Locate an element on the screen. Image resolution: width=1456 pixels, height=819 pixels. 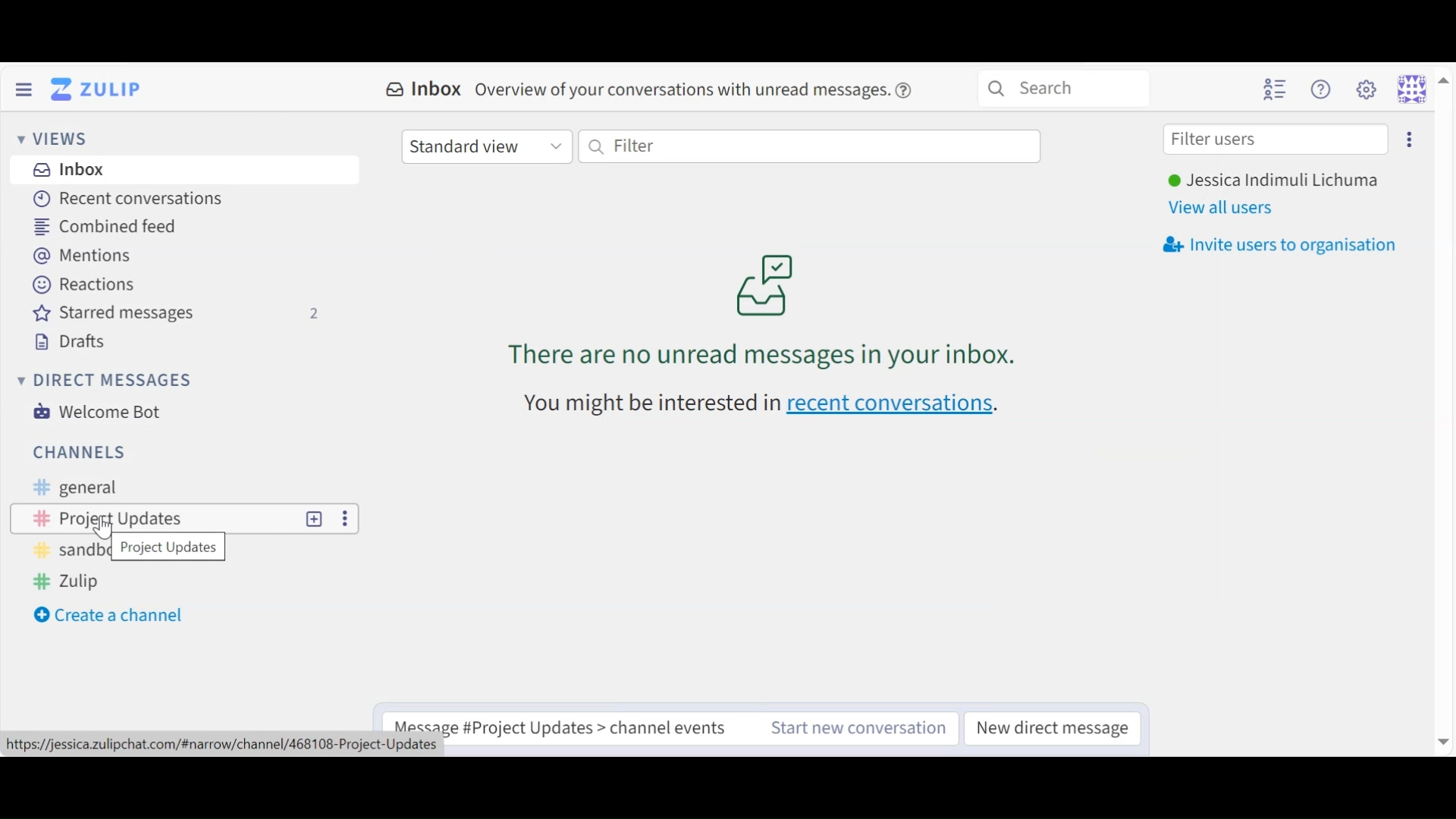
Filter is located at coordinates (809, 146).